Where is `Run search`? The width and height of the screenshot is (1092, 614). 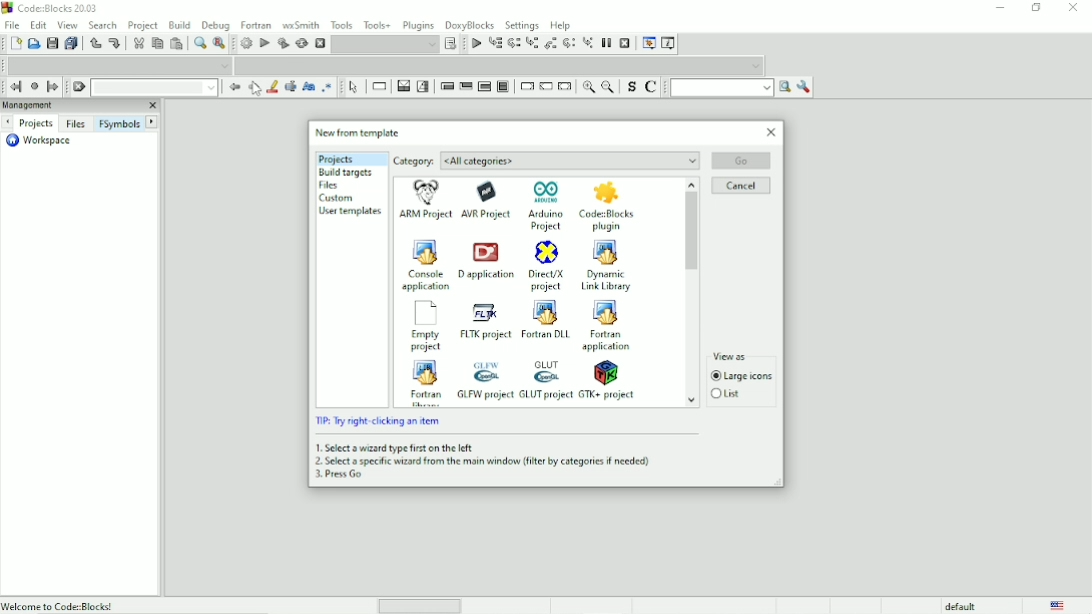
Run search is located at coordinates (731, 87).